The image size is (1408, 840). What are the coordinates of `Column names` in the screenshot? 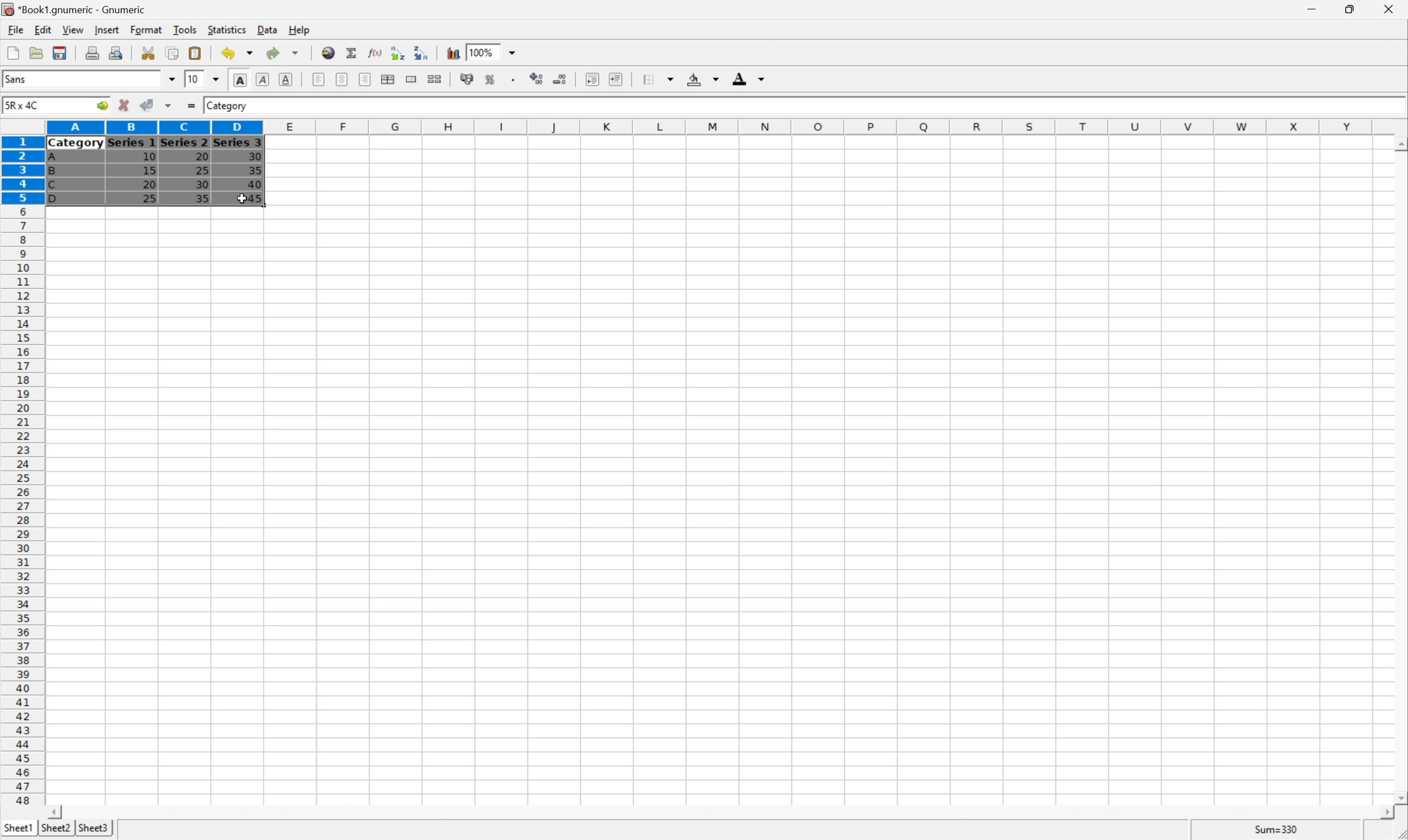 It's located at (713, 128).